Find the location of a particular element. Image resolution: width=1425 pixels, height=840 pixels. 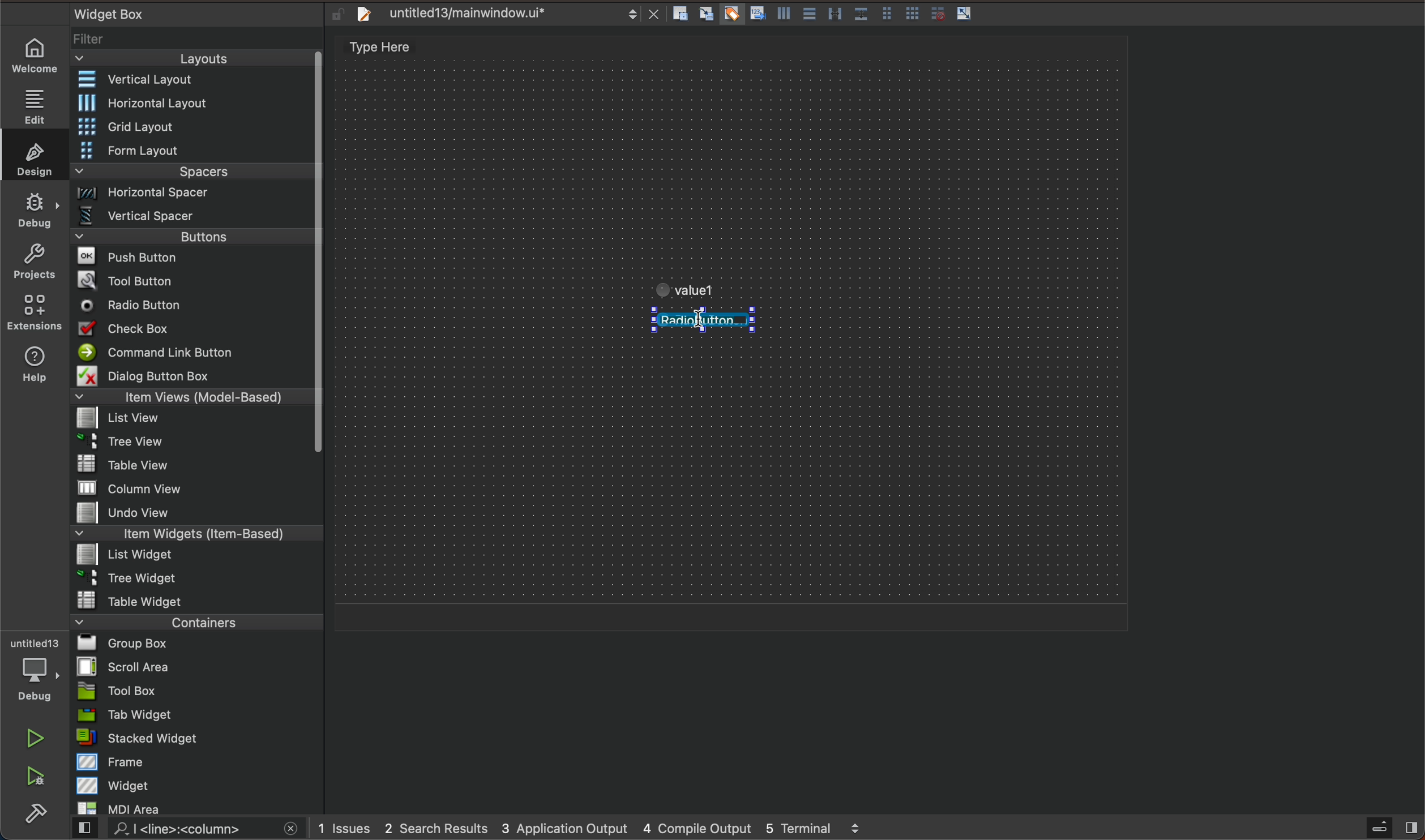

 is located at coordinates (860, 15).